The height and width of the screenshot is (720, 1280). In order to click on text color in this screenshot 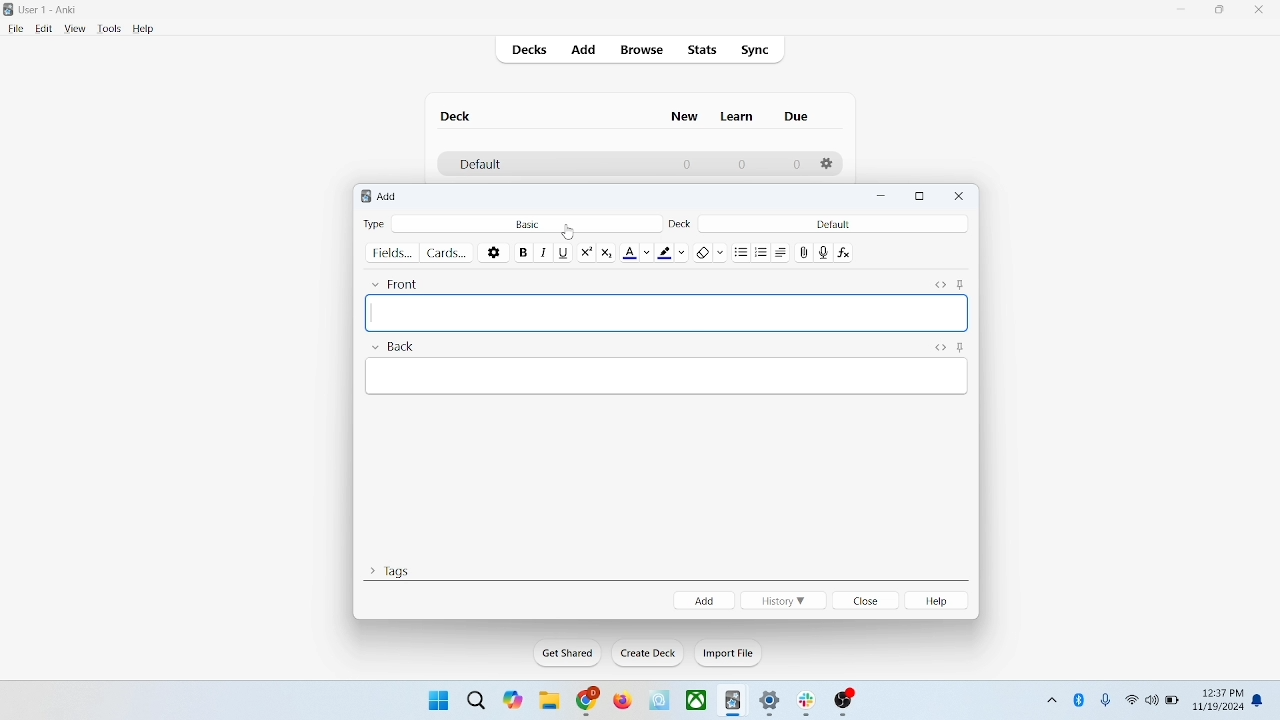, I will do `click(640, 253)`.